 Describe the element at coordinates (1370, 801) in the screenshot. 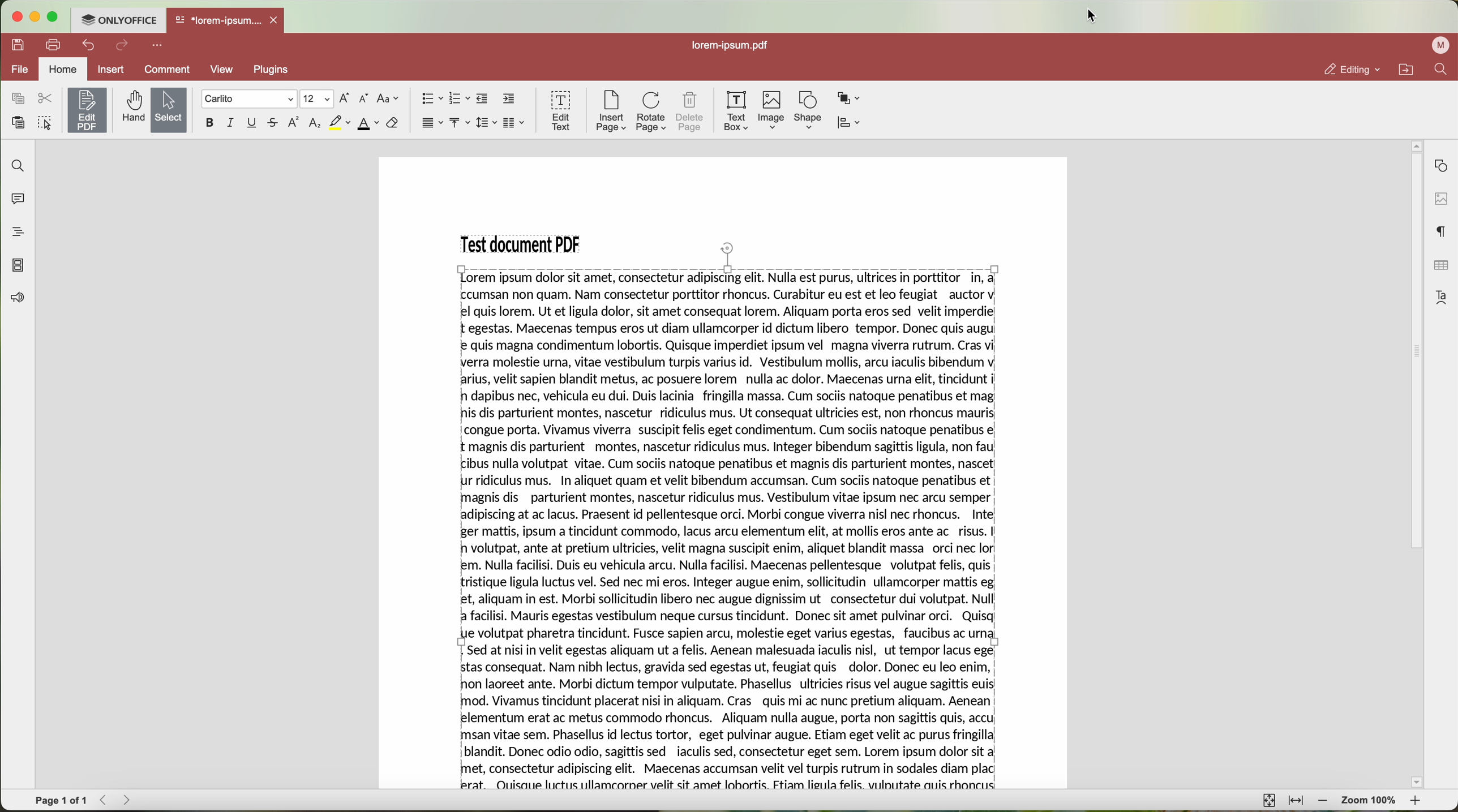

I see `zoom 100%` at that location.